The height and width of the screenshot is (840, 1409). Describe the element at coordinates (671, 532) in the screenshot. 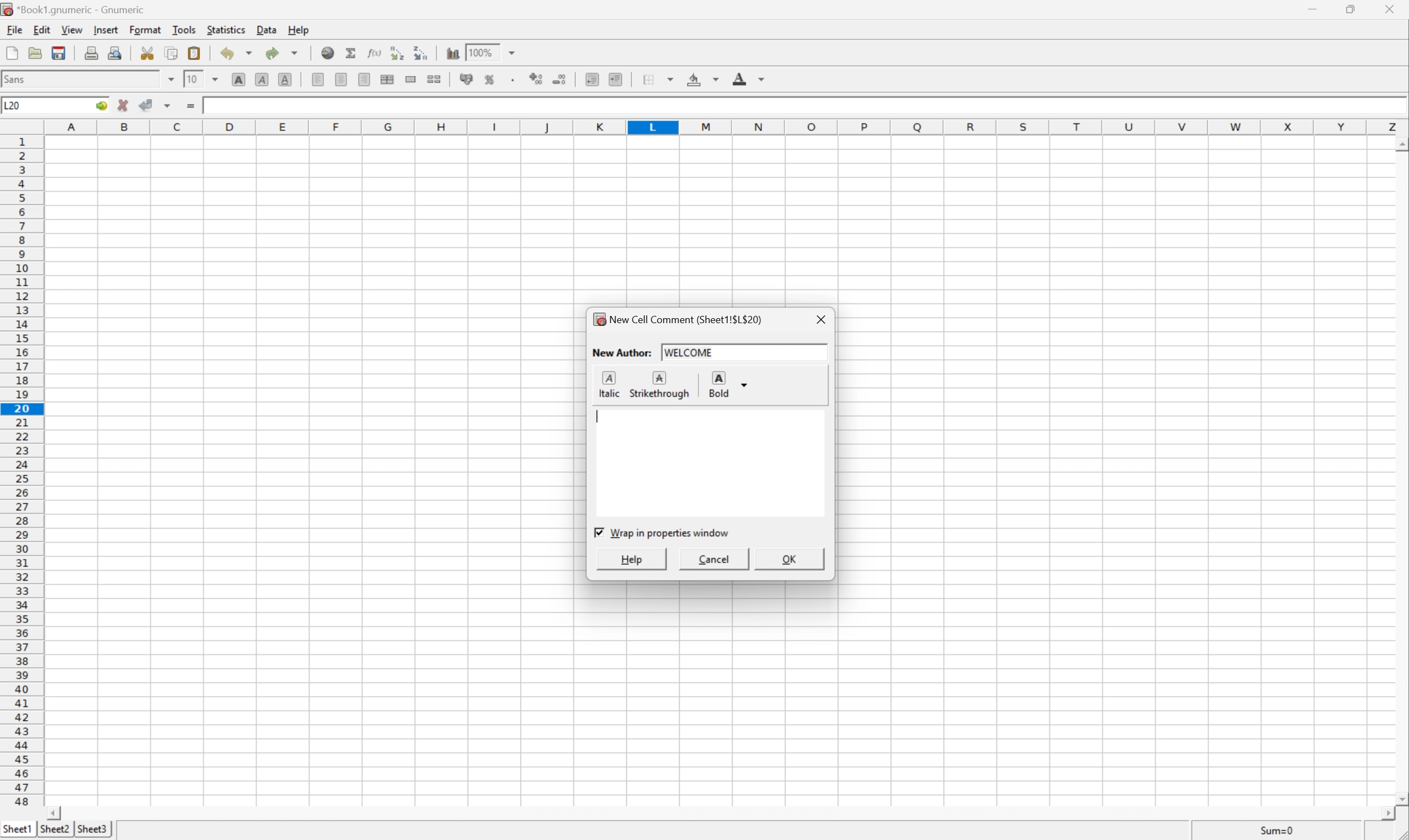

I see `Wrap in properties window` at that location.